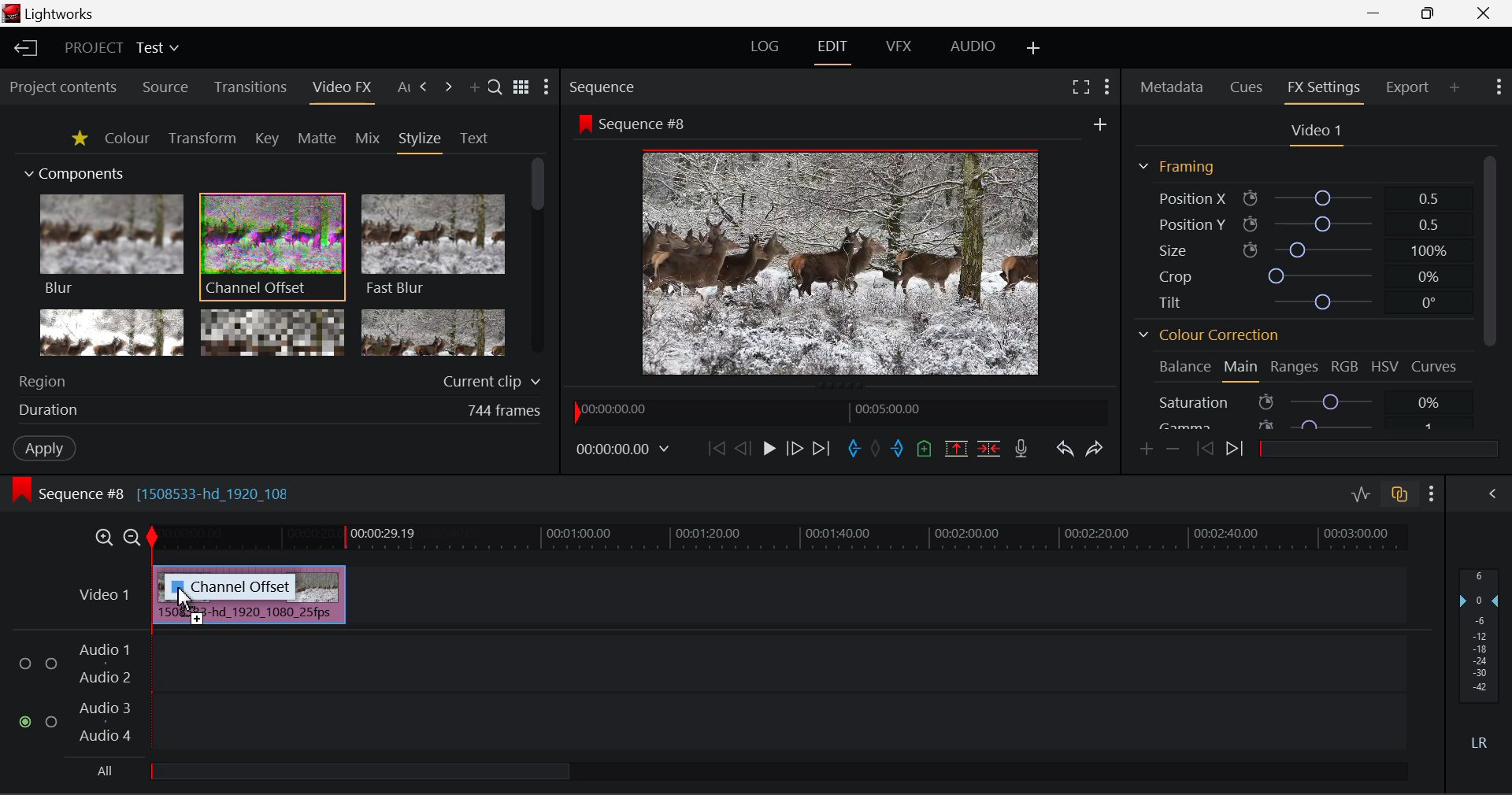  What do you see at coordinates (495, 87) in the screenshot?
I see `Search` at bounding box center [495, 87].